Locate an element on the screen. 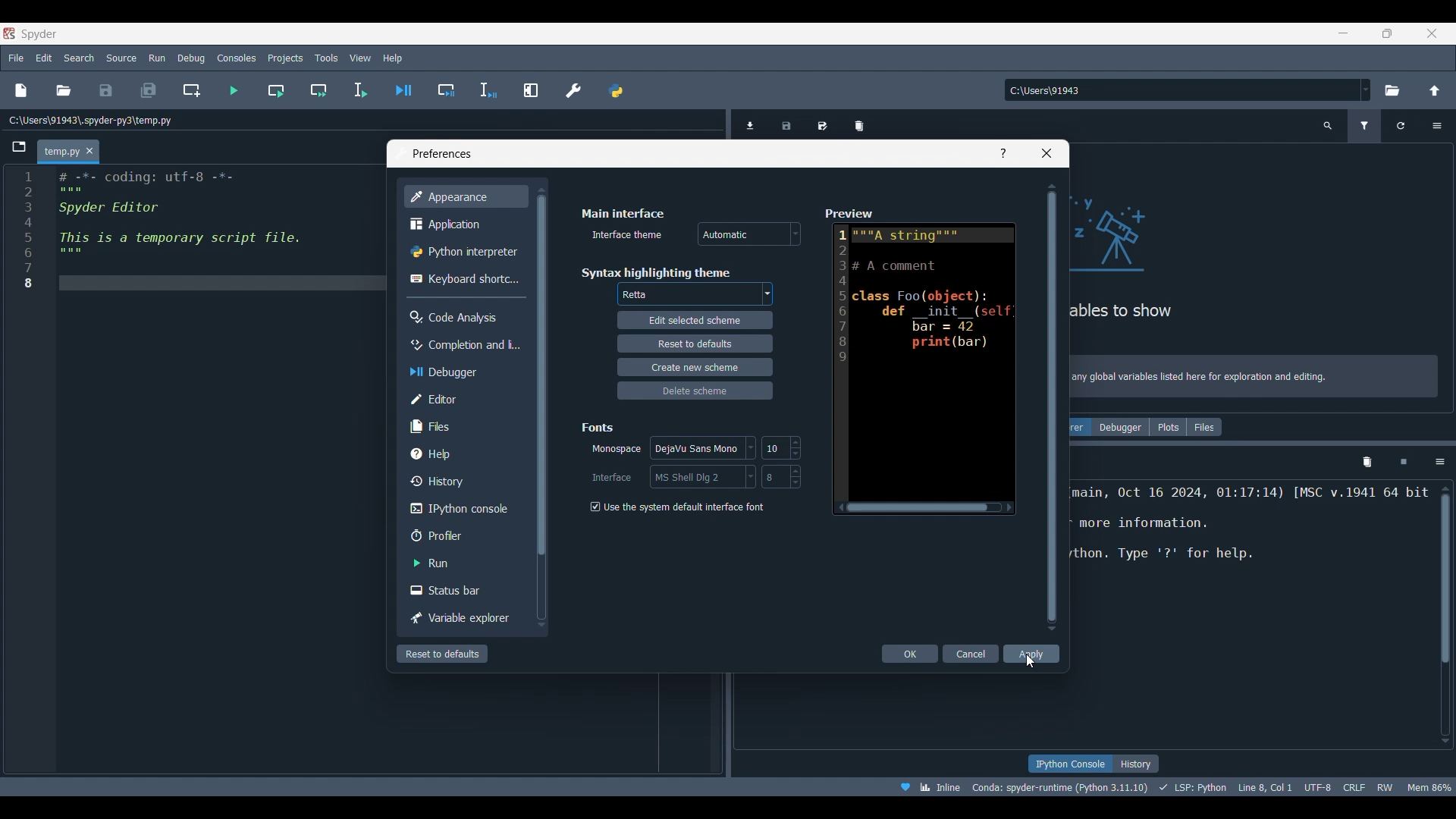 This screenshot has width=1456, height=819. IPython console is located at coordinates (1069, 764).